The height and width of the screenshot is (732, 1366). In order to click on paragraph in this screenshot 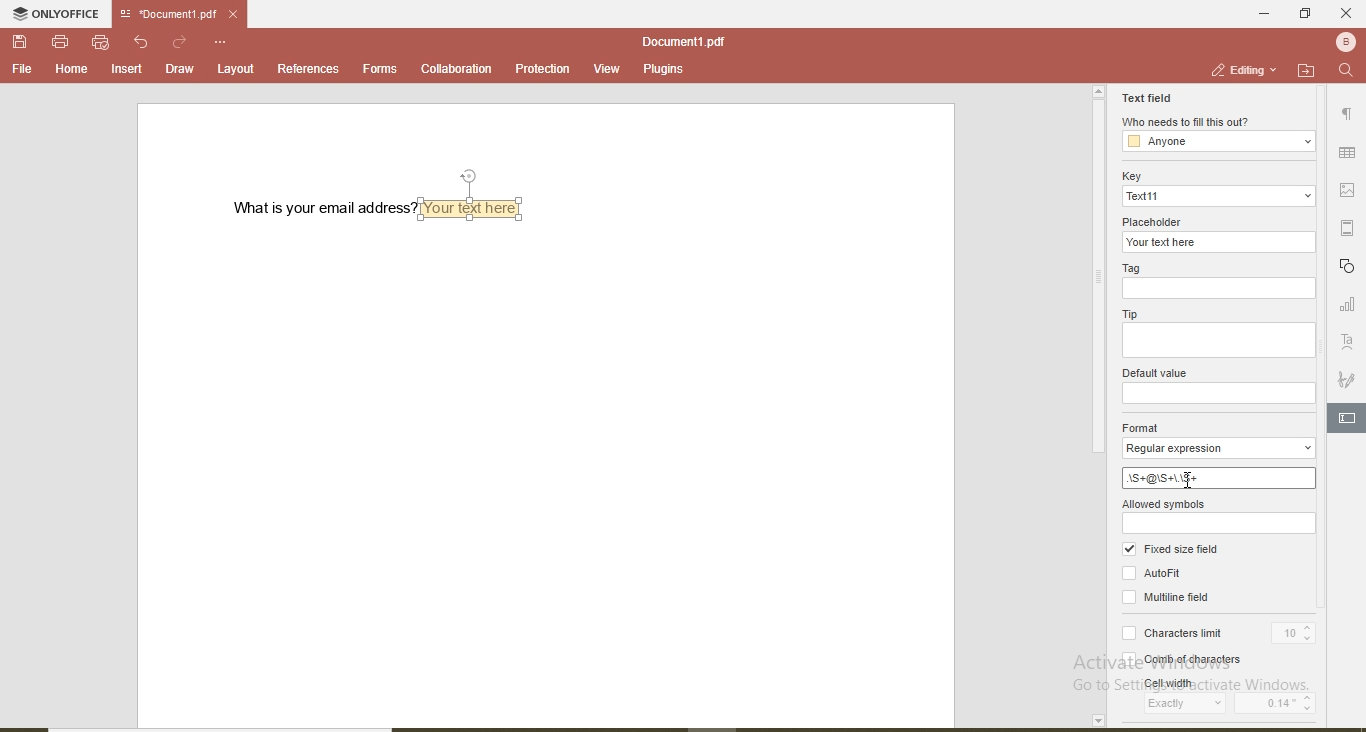, I will do `click(1346, 117)`.